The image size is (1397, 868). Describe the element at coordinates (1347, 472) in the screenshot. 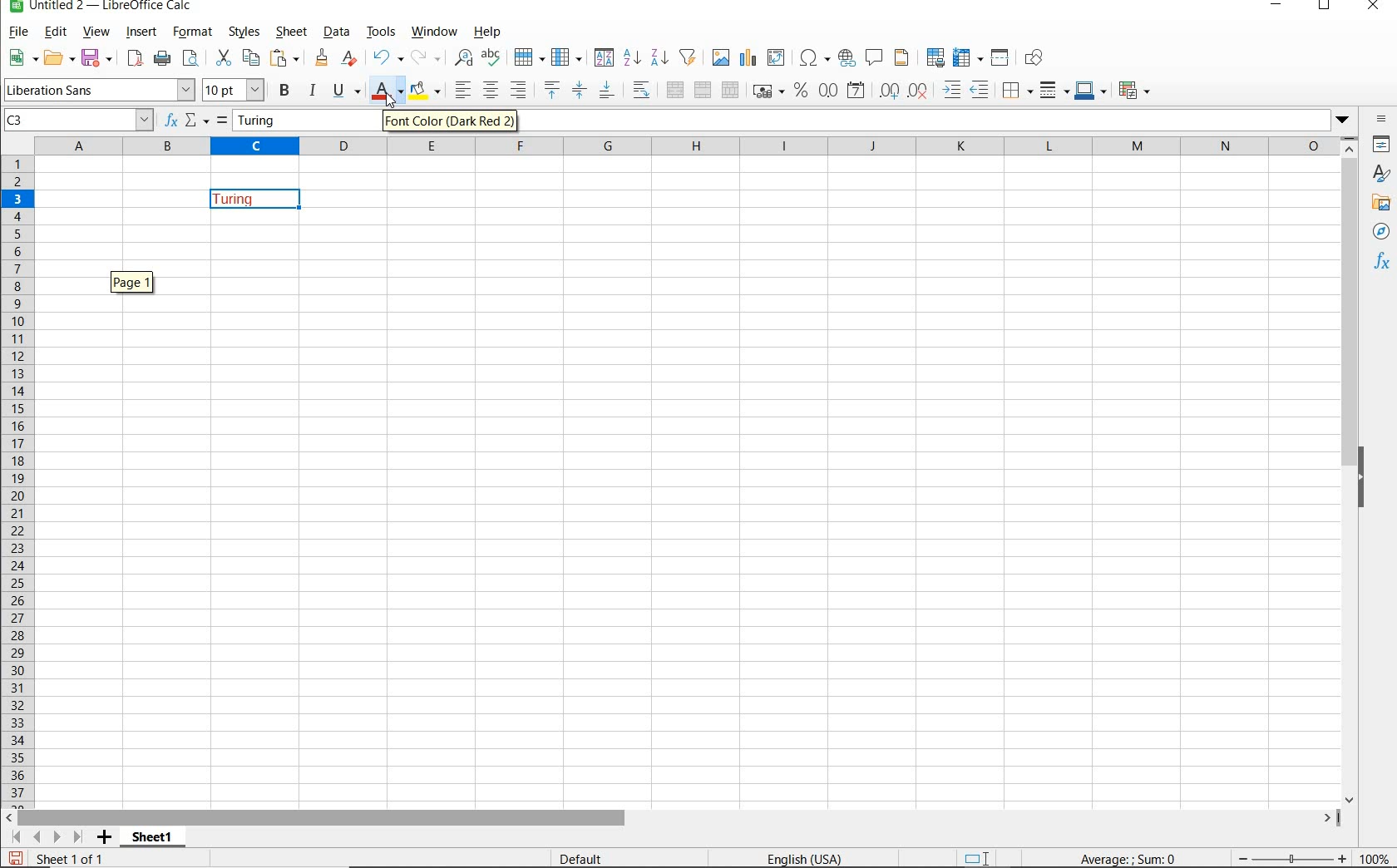

I see `SCROLLBAR` at that location.